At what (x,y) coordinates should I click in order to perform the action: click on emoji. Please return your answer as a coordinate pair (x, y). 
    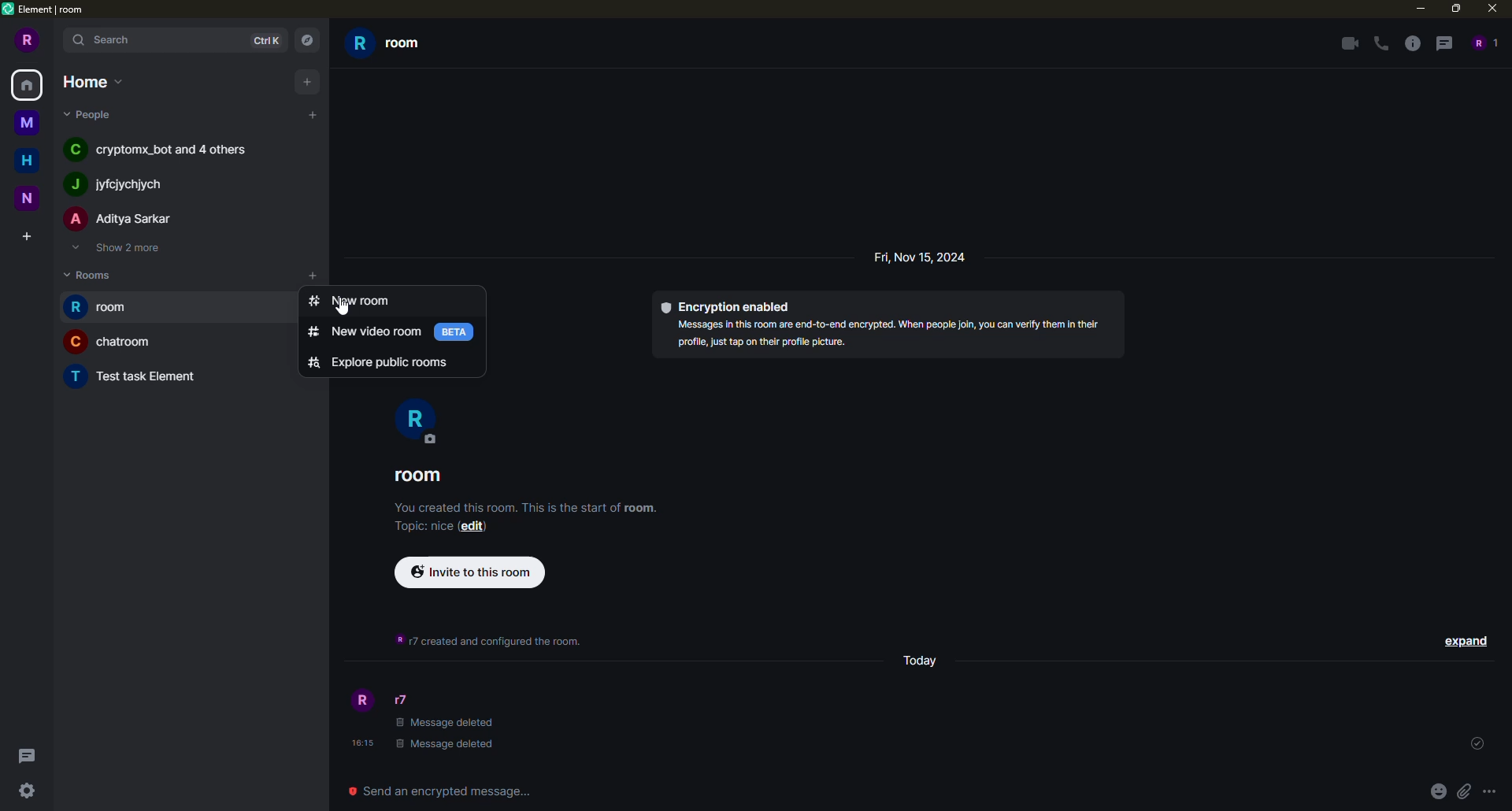
    Looking at the image, I should click on (1438, 791).